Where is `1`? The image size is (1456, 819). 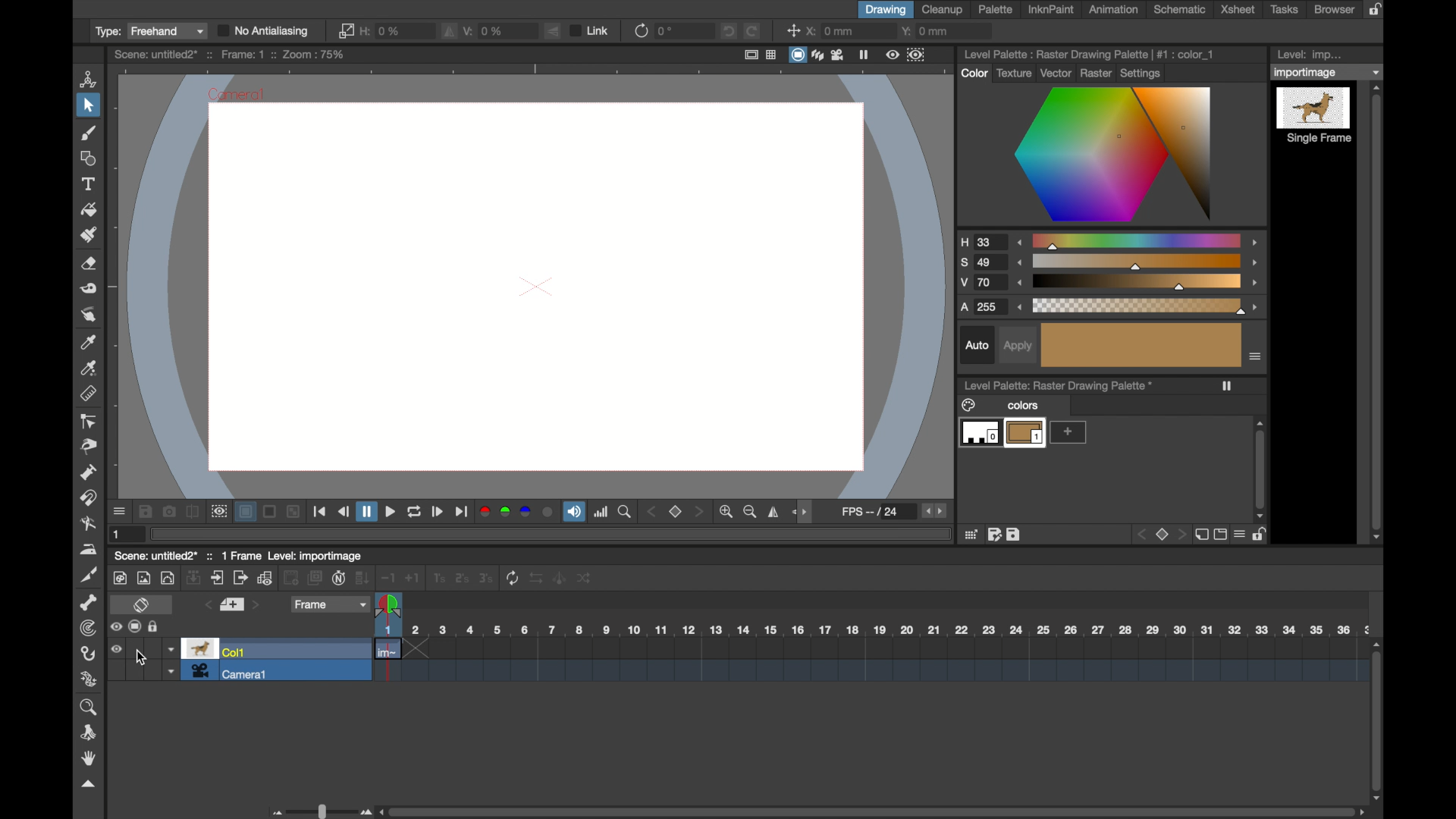 1 is located at coordinates (438, 578).